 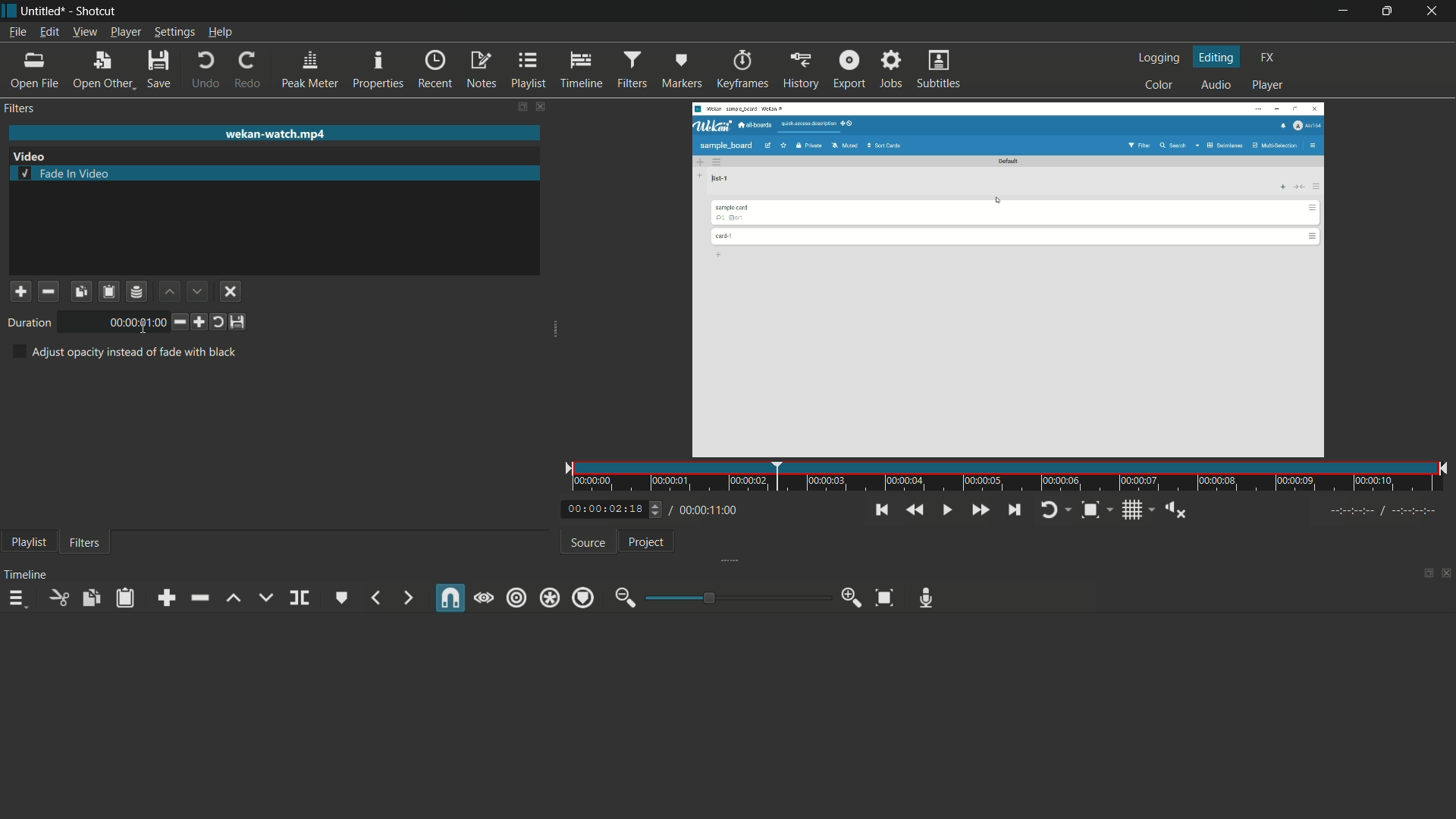 I want to click on redo, so click(x=246, y=71).